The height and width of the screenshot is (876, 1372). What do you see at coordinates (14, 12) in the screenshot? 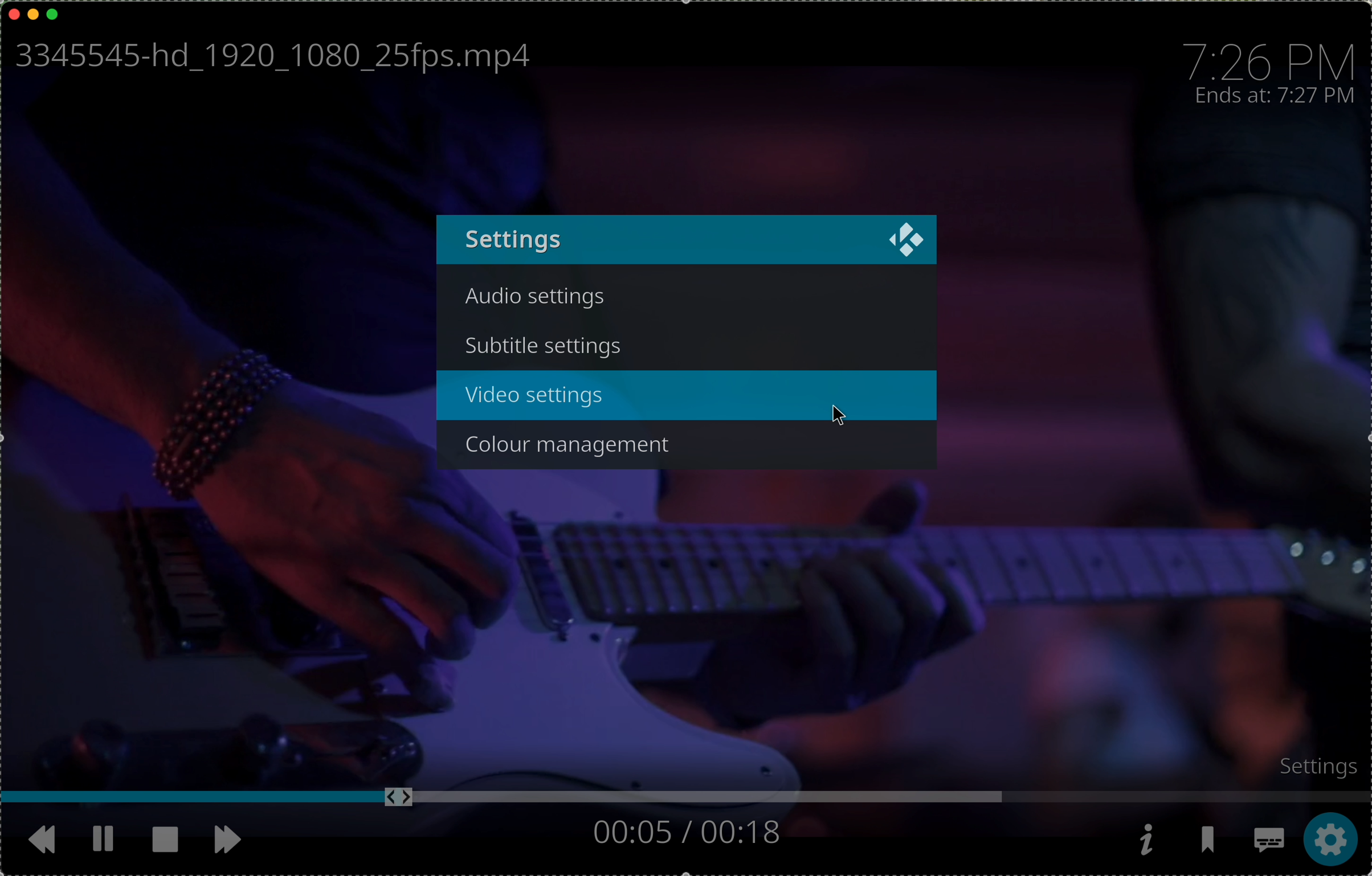
I see `close` at bounding box center [14, 12].